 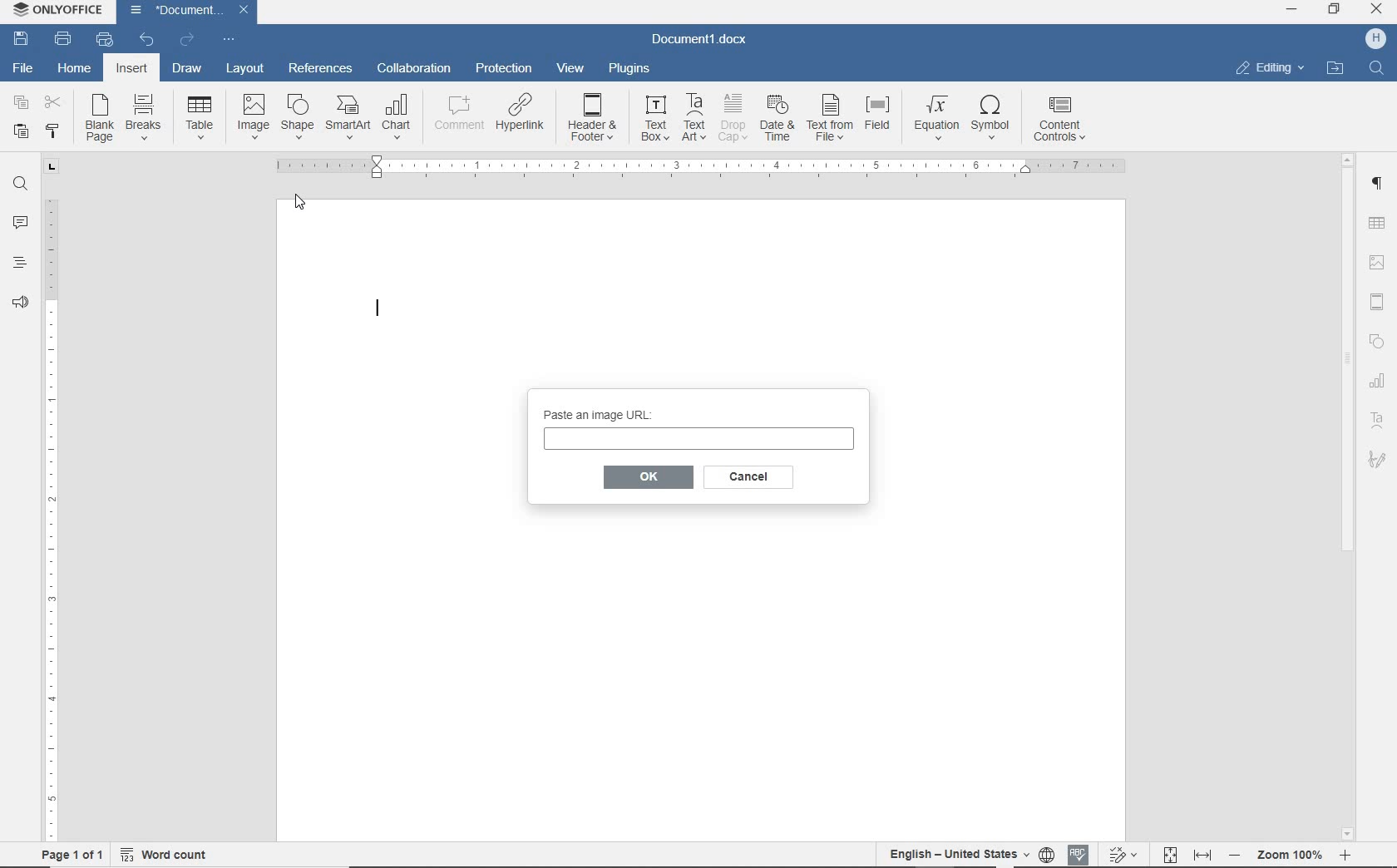 I want to click on header&footer, so click(x=590, y=118).